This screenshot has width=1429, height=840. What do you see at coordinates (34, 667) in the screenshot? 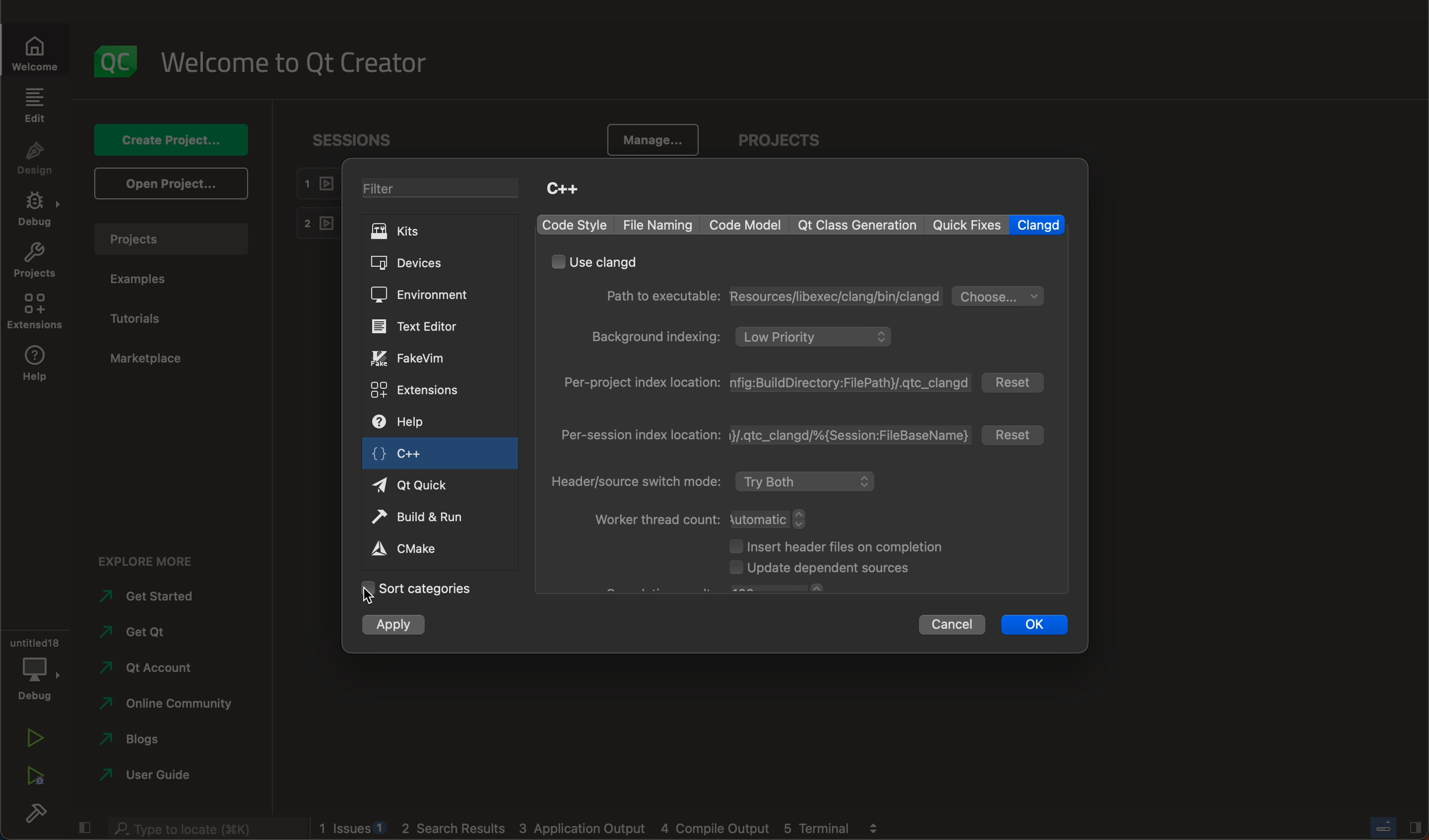
I see `debug` at bounding box center [34, 667].